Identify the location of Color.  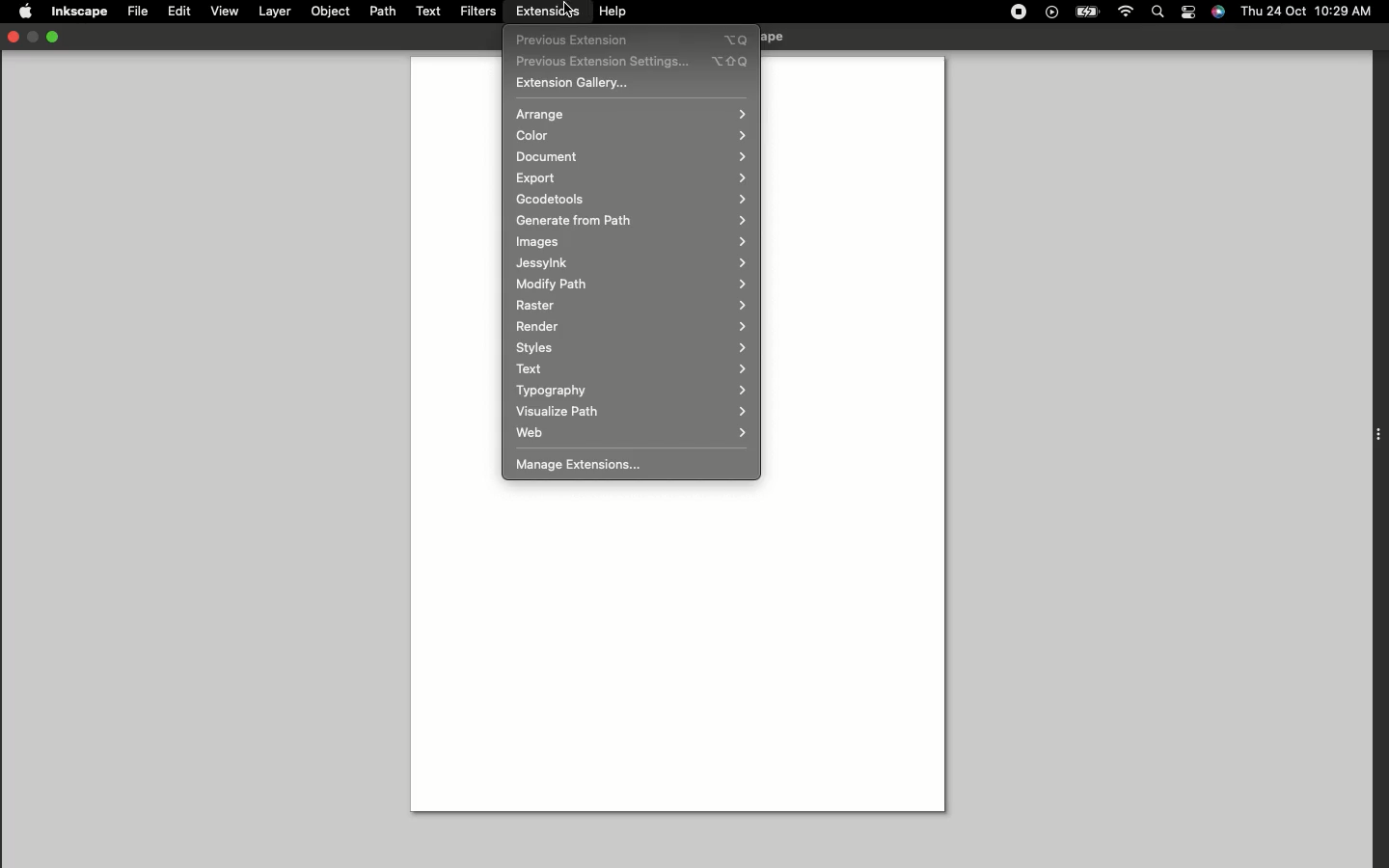
(631, 136).